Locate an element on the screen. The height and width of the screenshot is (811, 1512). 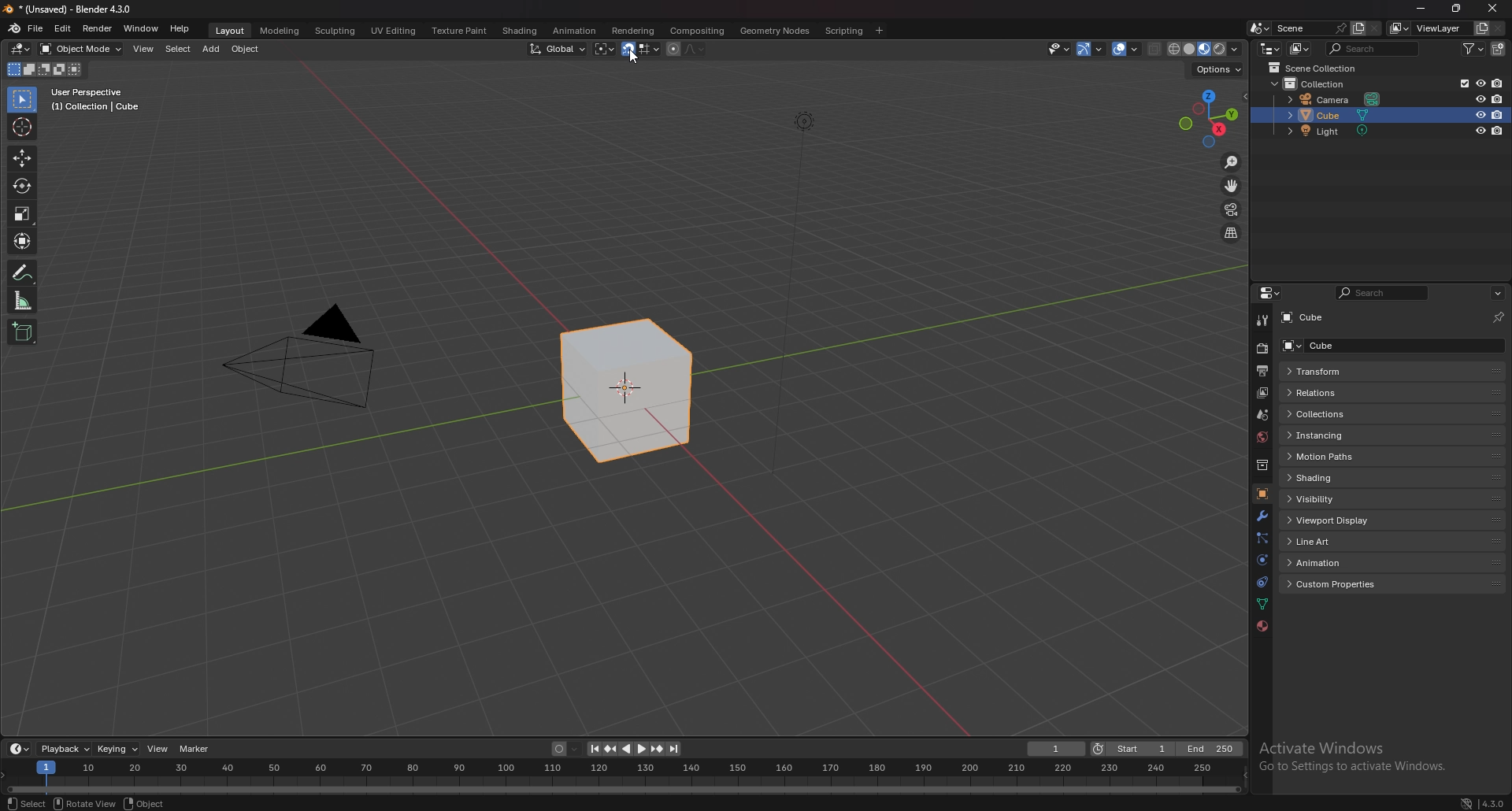
minimize is located at coordinates (1421, 8).